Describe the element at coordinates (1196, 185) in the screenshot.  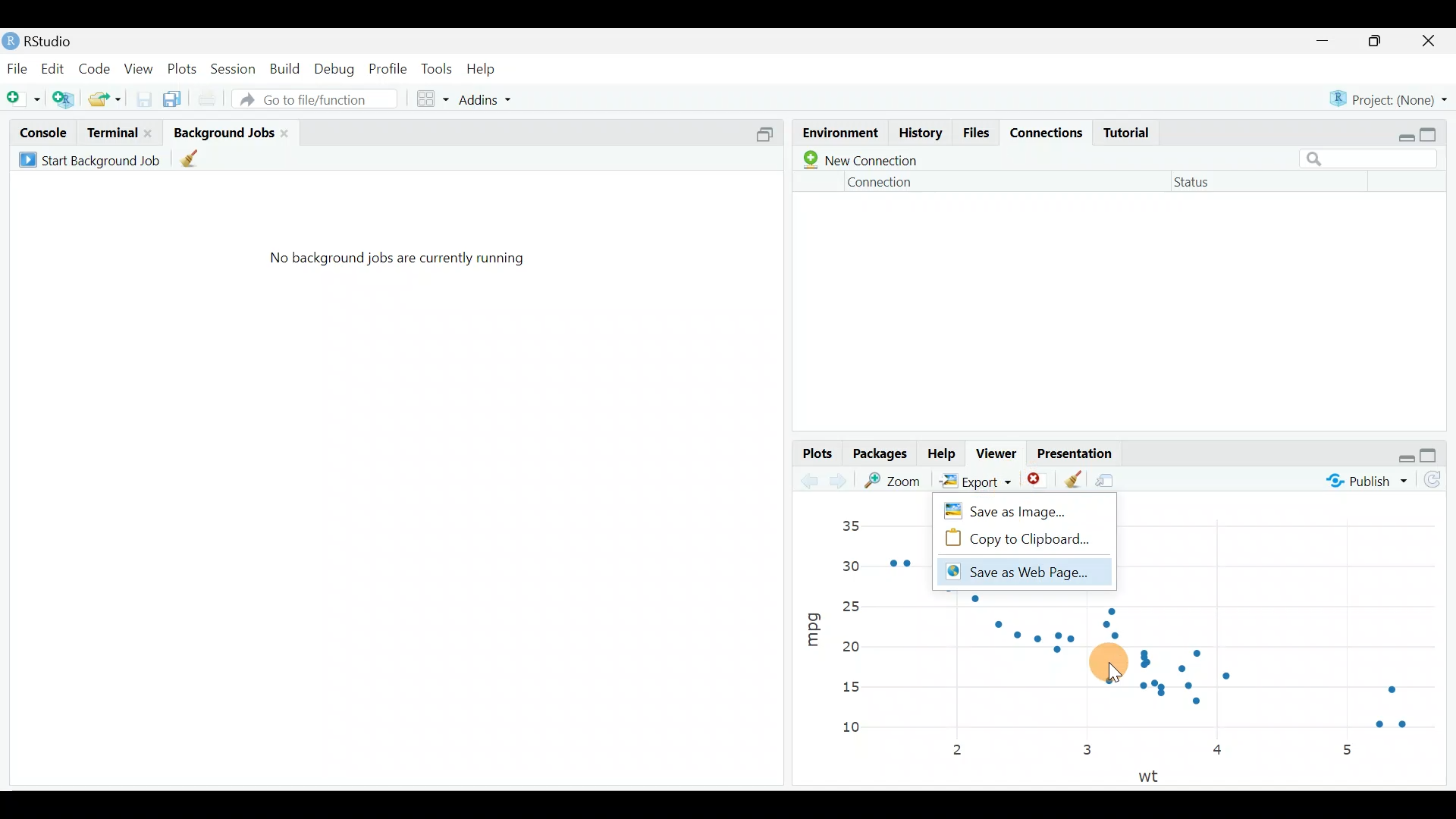
I see `Status` at that location.